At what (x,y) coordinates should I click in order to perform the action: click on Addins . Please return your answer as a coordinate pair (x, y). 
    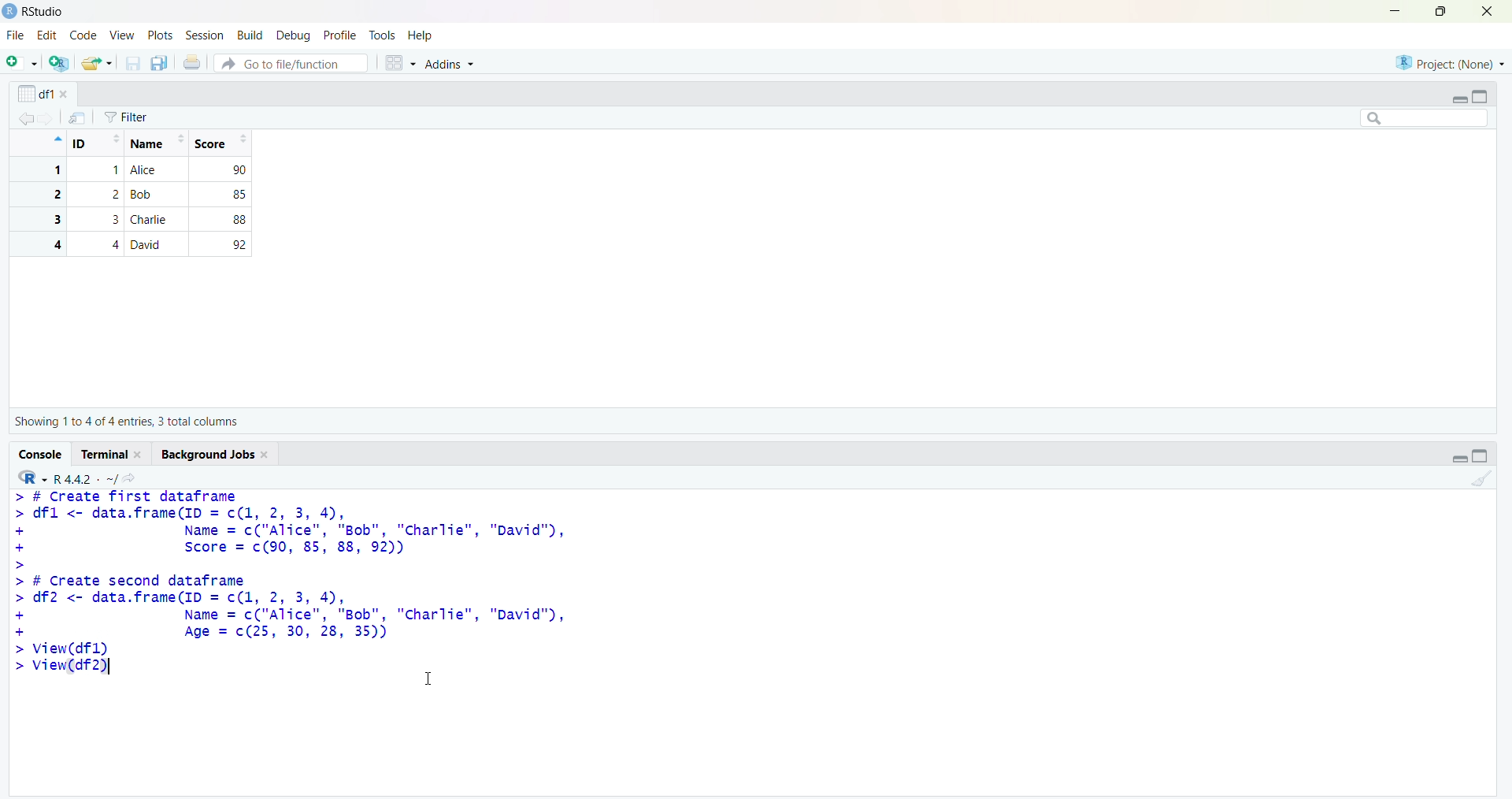
    Looking at the image, I should click on (448, 63).